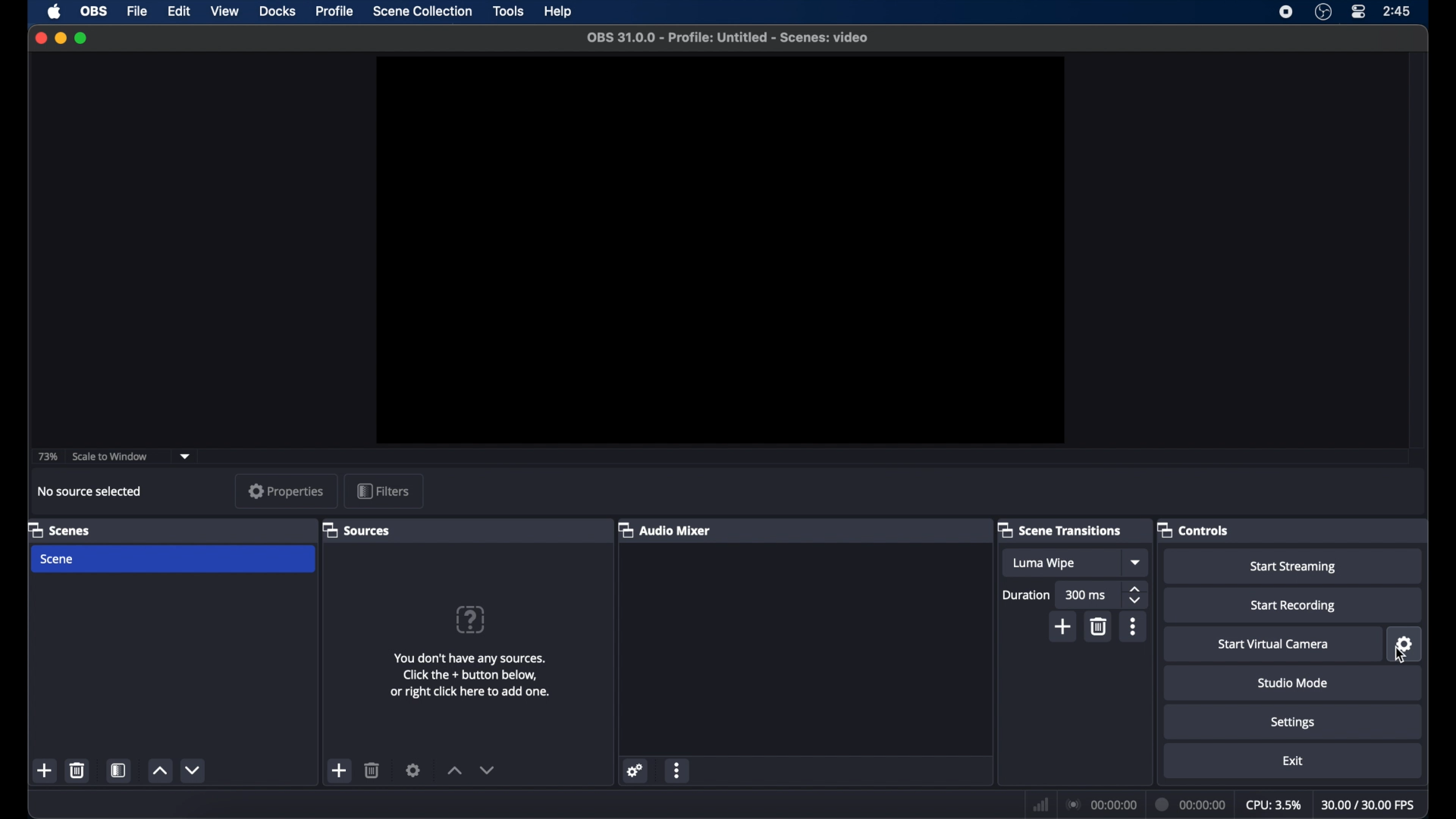  What do you see at coordinates (278, 12) in the screenshot?
I see `docks` at bounding box center [278, 12].